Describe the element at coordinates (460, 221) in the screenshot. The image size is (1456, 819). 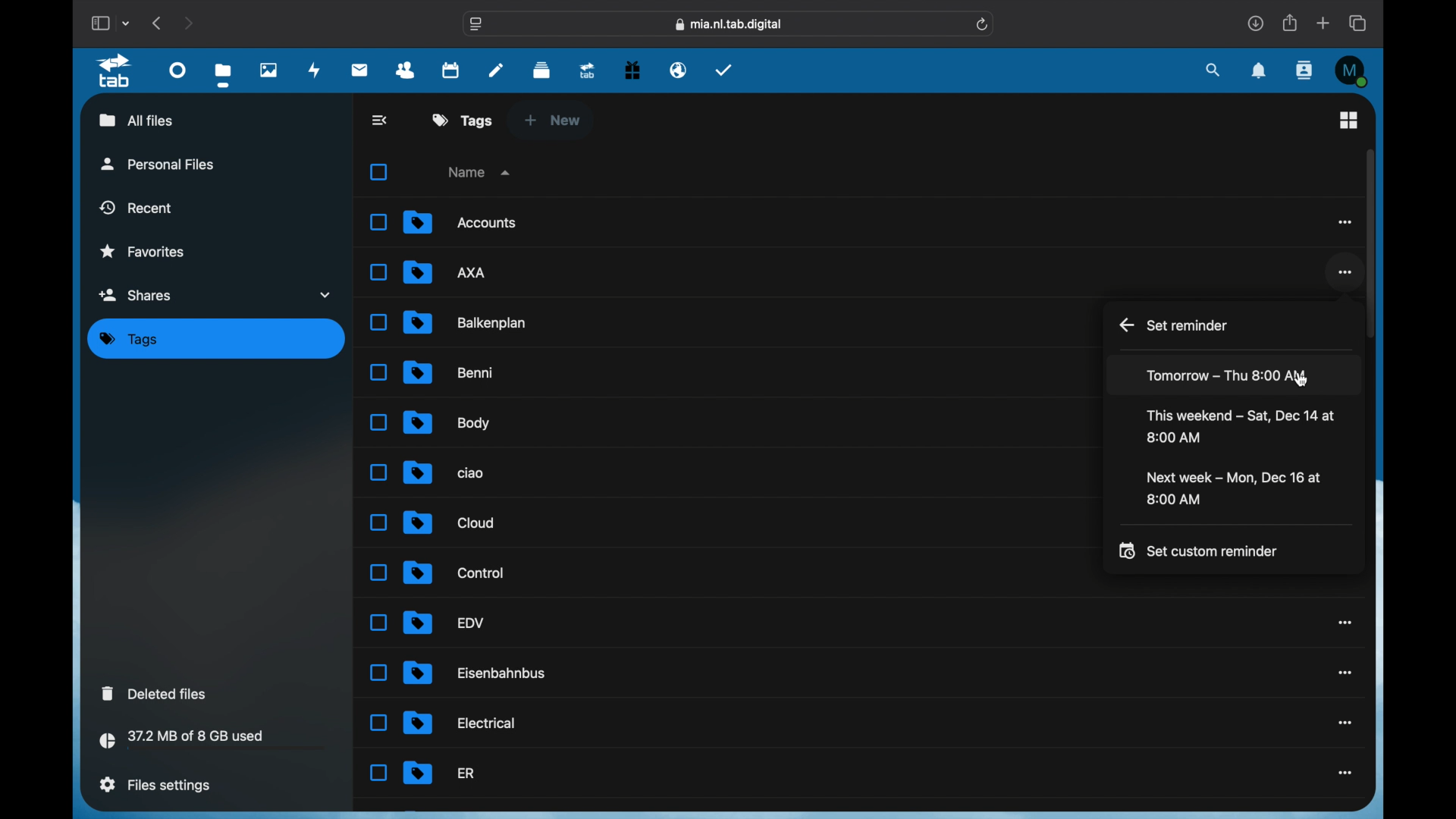
I see `file` at that location.